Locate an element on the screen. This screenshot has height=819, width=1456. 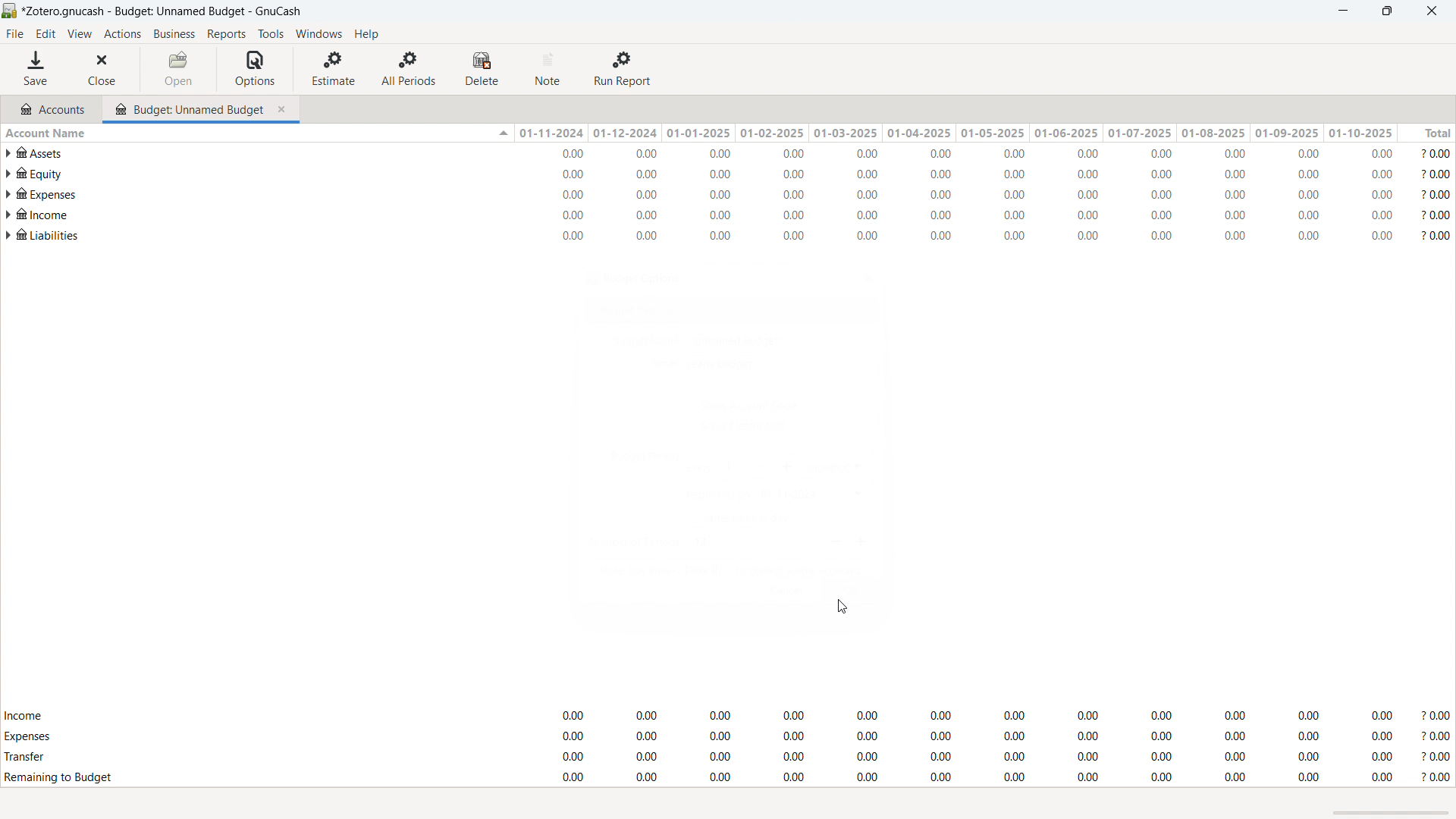
scrollbar is located at coordinates (1392, 814).